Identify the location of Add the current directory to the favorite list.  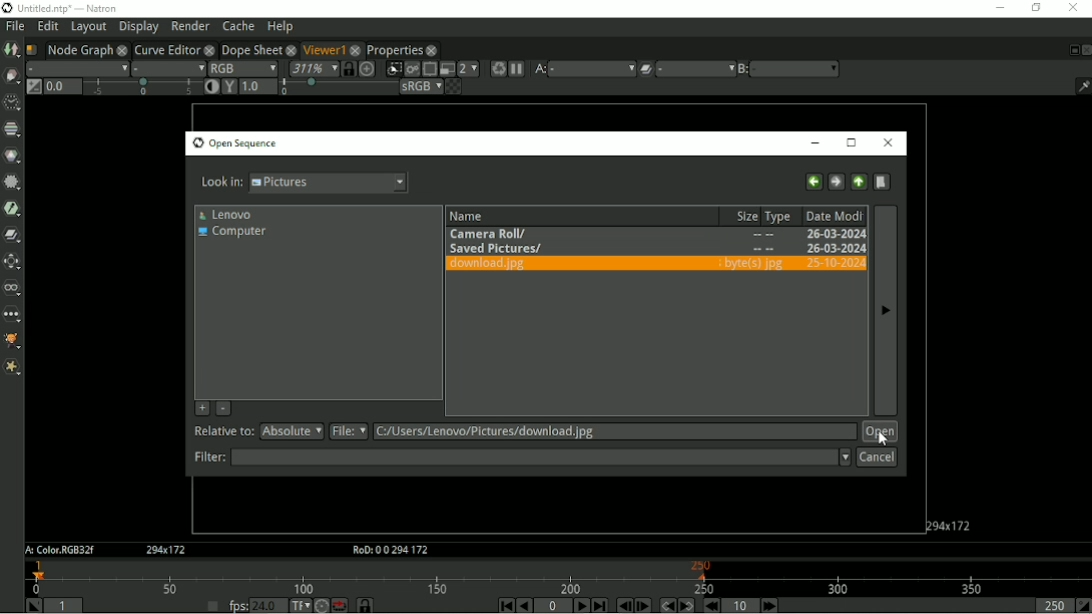
(202, 409).